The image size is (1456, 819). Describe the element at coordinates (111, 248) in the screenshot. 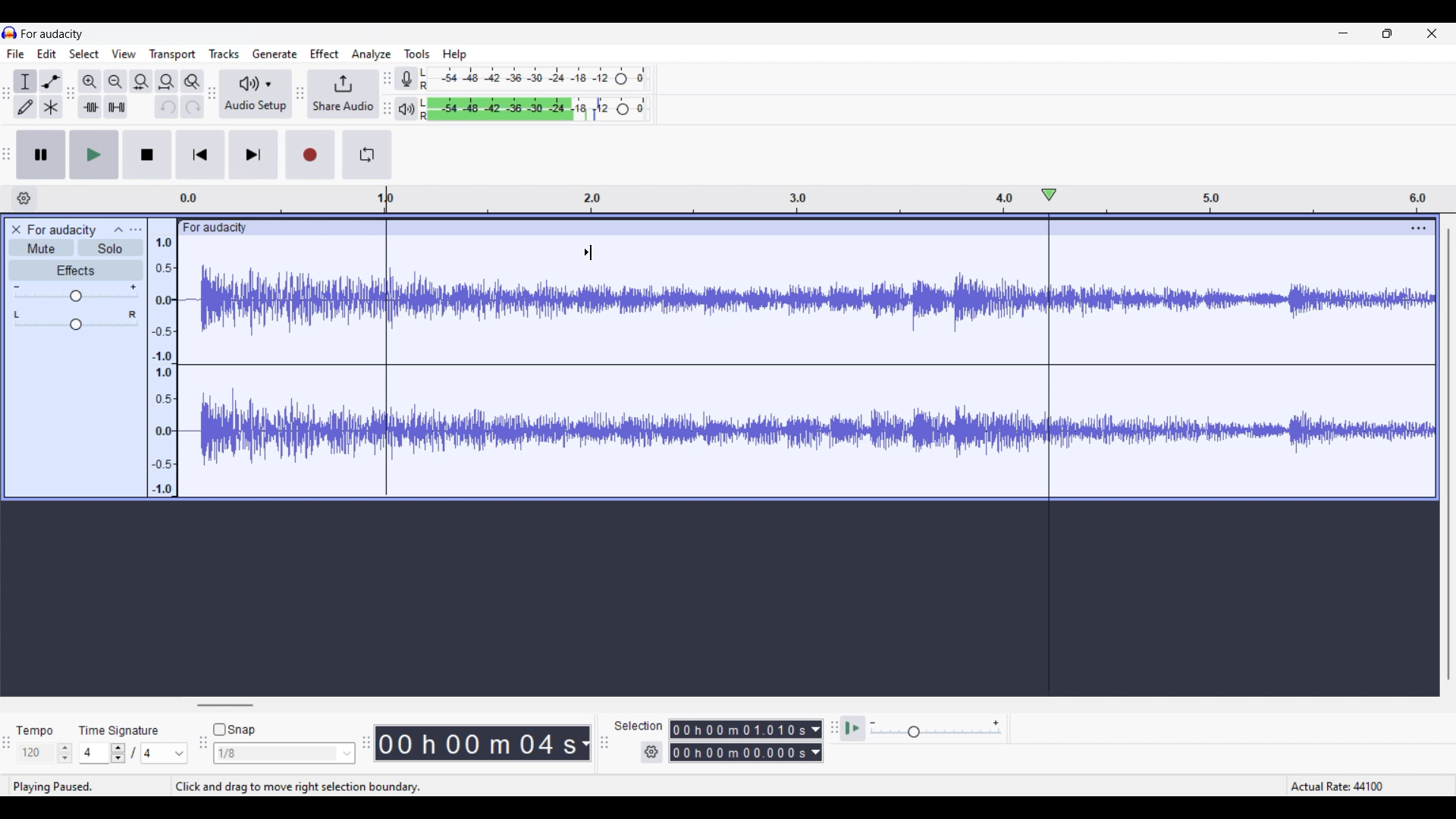

I see `Solo` at that location.